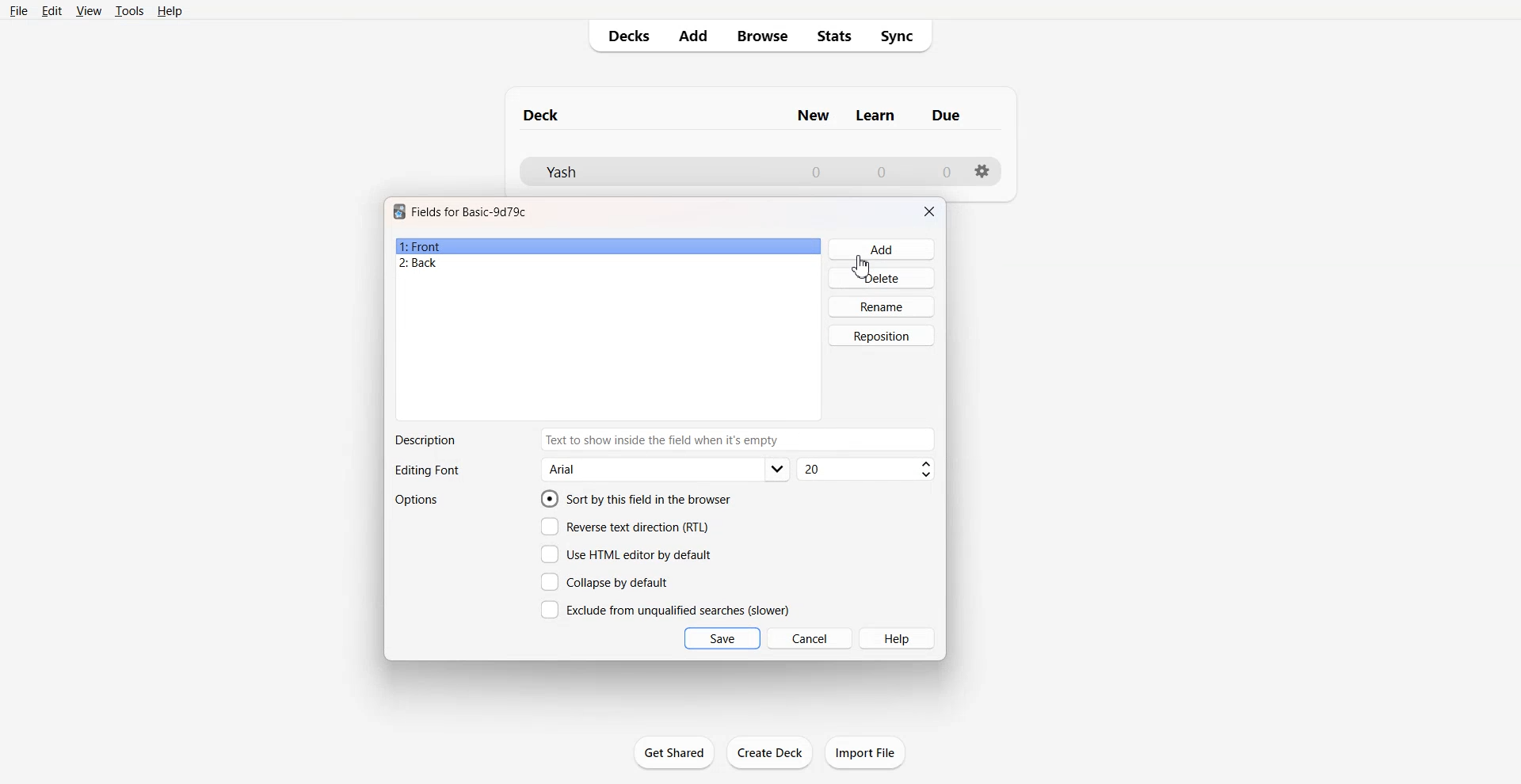 The height and width of the screenshot is (784, 1521). Describe the element at coordinates (929, 211) in the screenshot. I see `Close` at that location.